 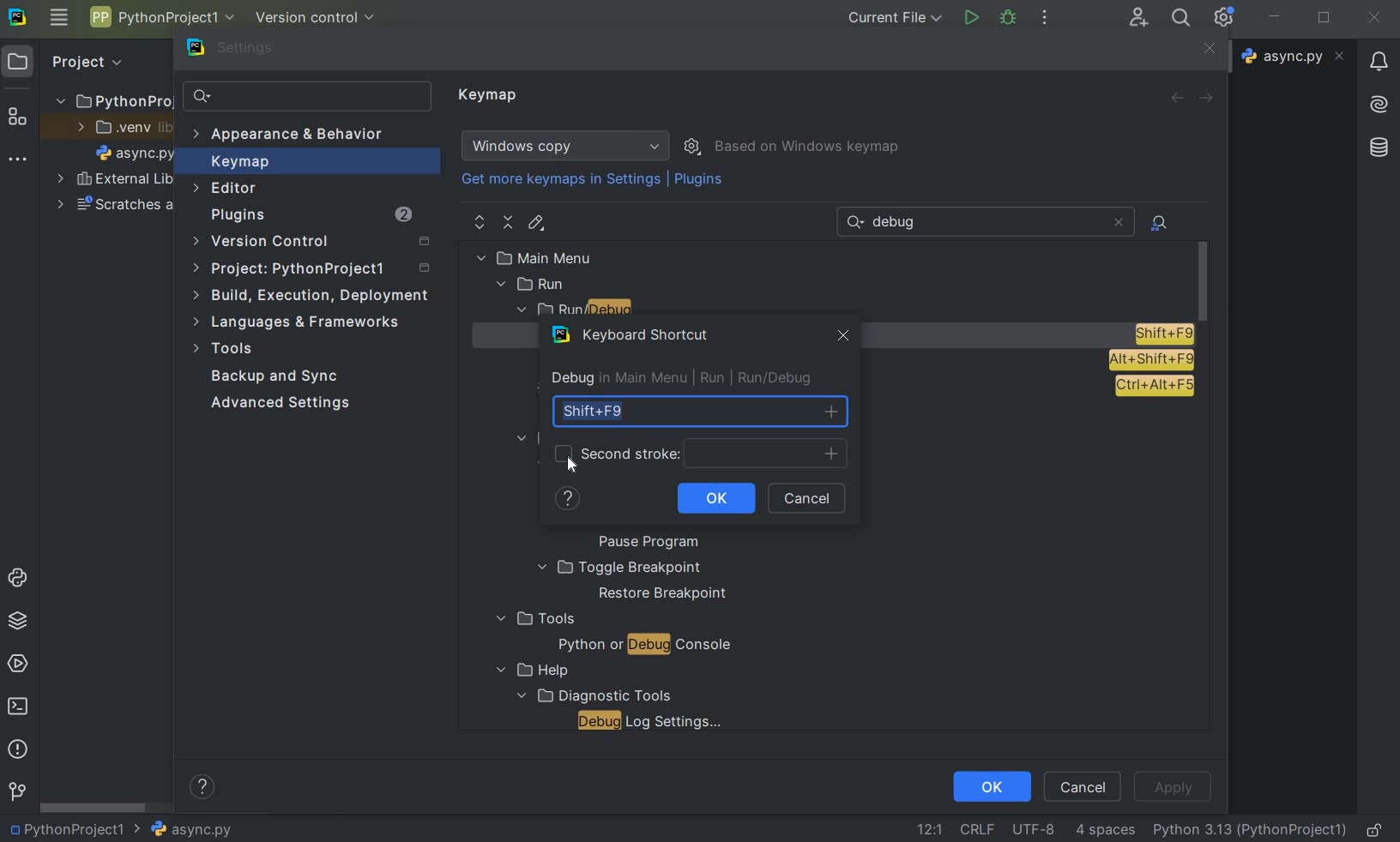 What do you see at coordinates (1210, 99) in the screenshot?
I see `forward` at bounding box center [1210, 99].